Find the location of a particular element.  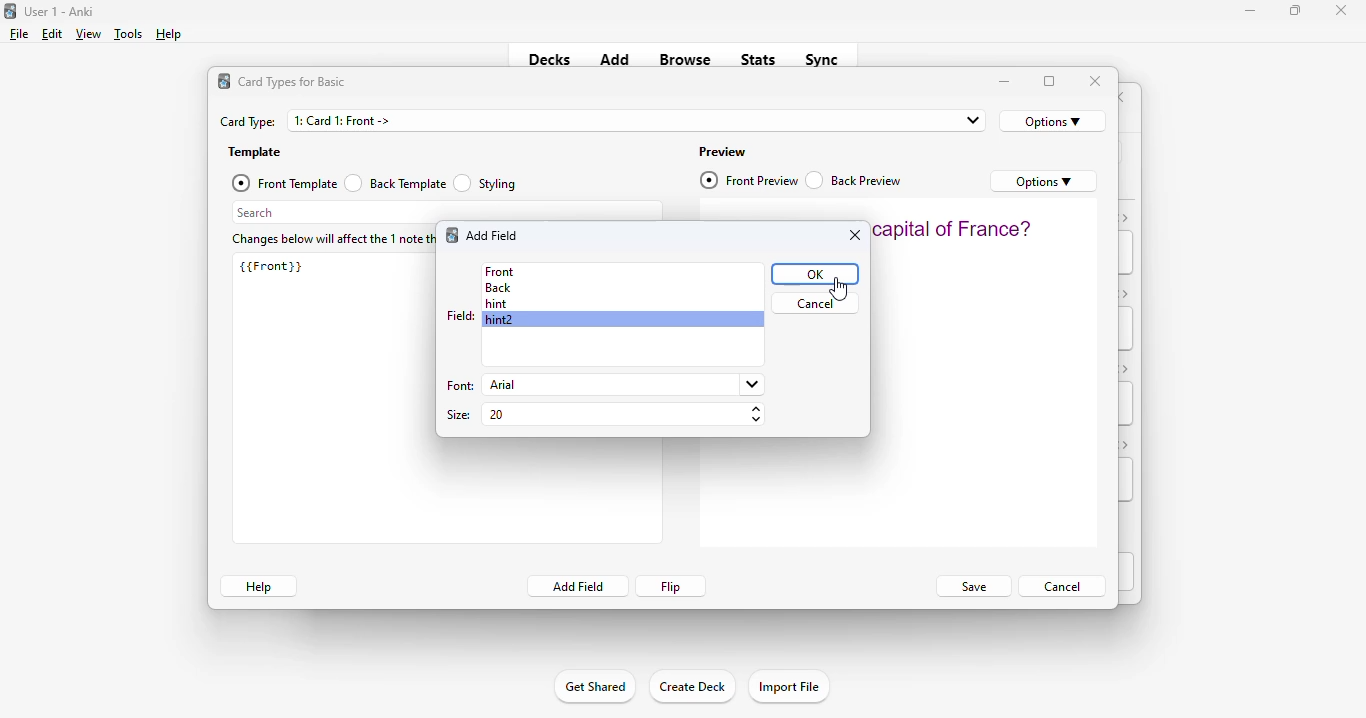

minimize is located at coordinates (1005, 82).